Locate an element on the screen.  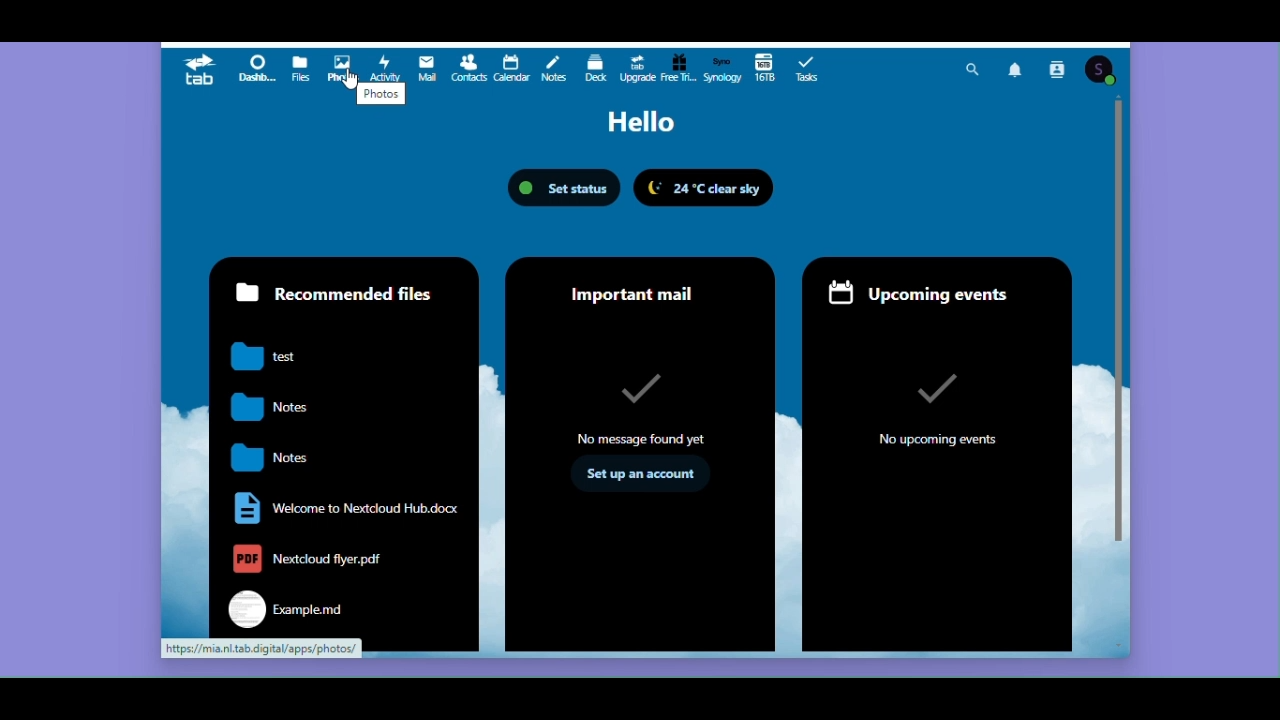
Status is located at coordinates (562, 188).